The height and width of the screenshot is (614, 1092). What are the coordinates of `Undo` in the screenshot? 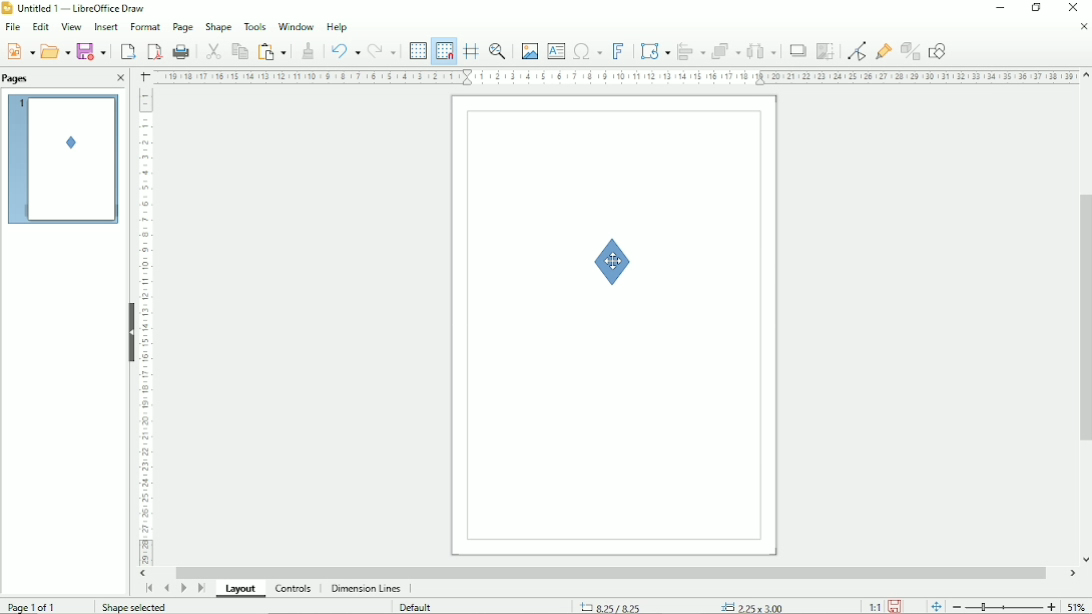 It's located at (343, 49).